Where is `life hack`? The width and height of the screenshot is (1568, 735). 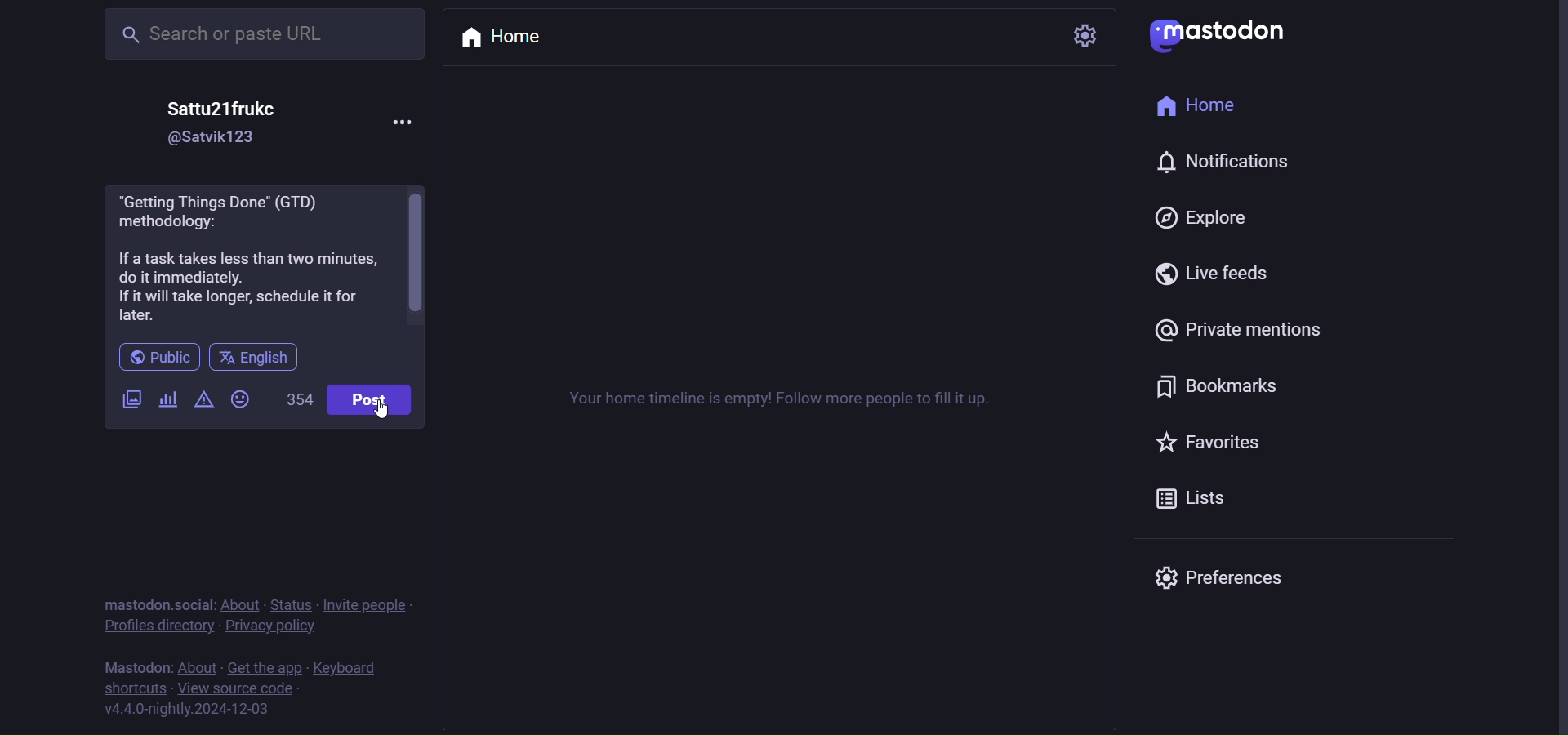
life hack is located at coordinates (248, 262).